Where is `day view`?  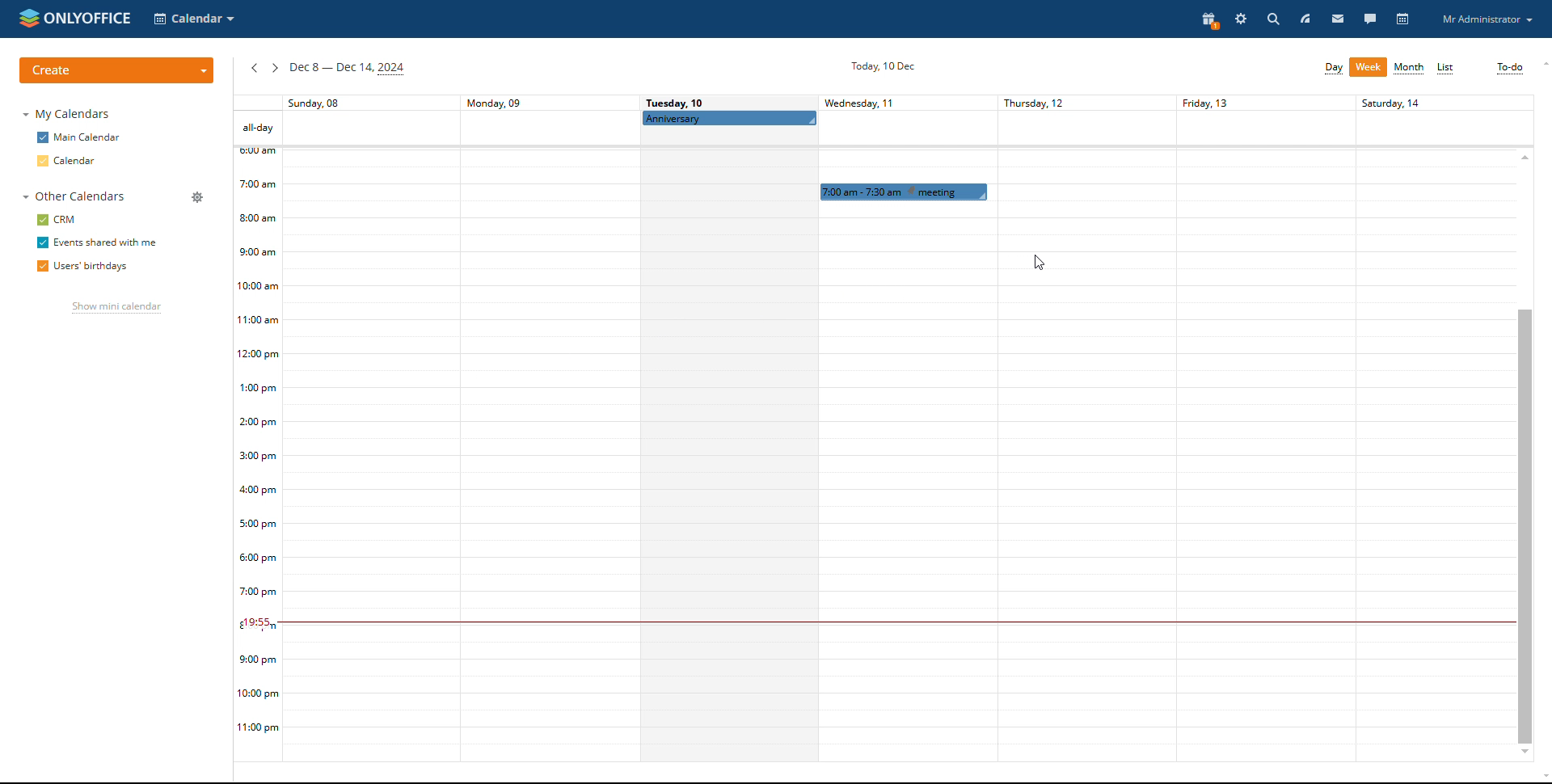 day view is located at coordinates (1333, 68).